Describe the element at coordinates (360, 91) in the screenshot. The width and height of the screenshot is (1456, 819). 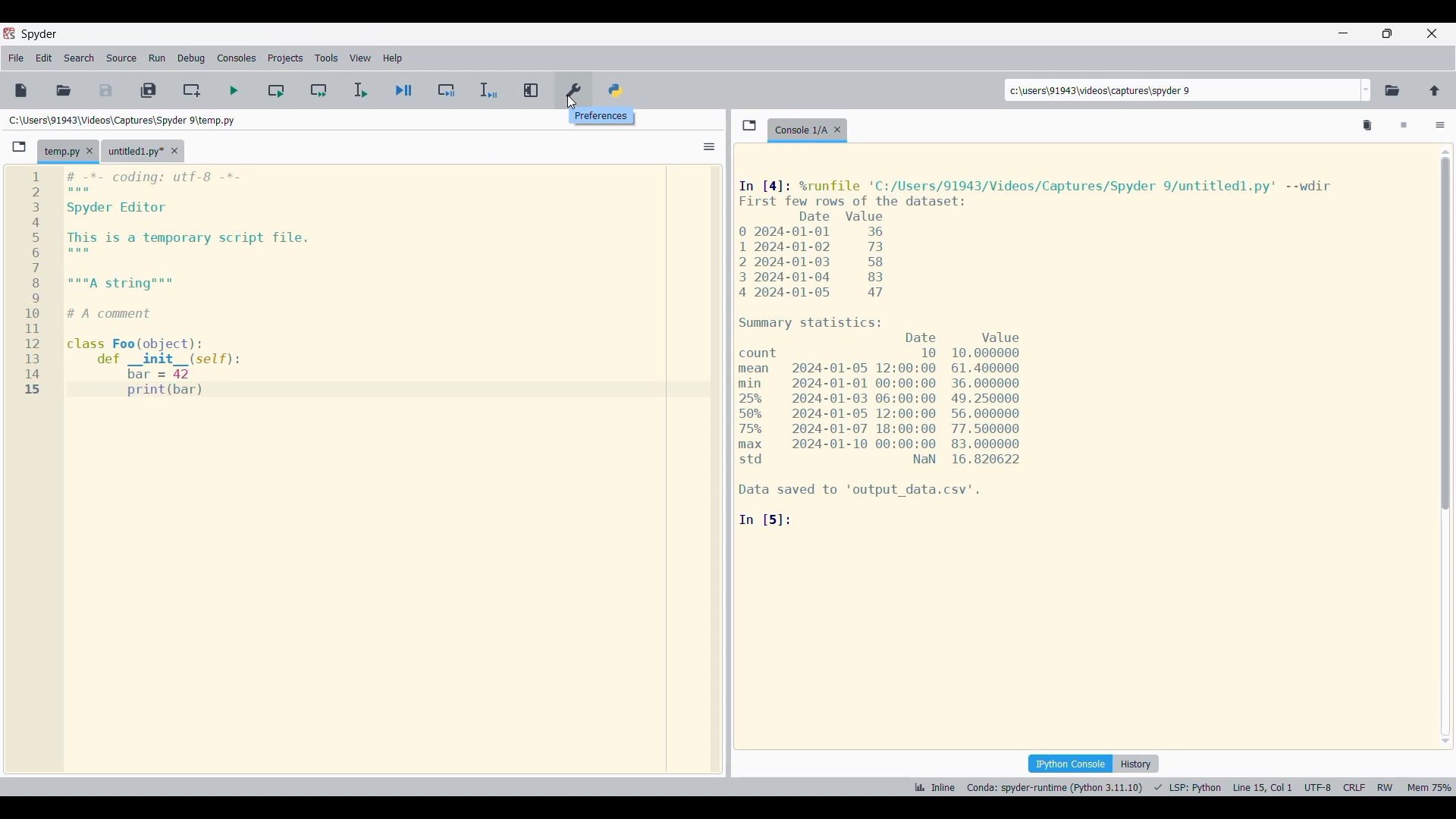
I see `Run selection/current line` at that location.